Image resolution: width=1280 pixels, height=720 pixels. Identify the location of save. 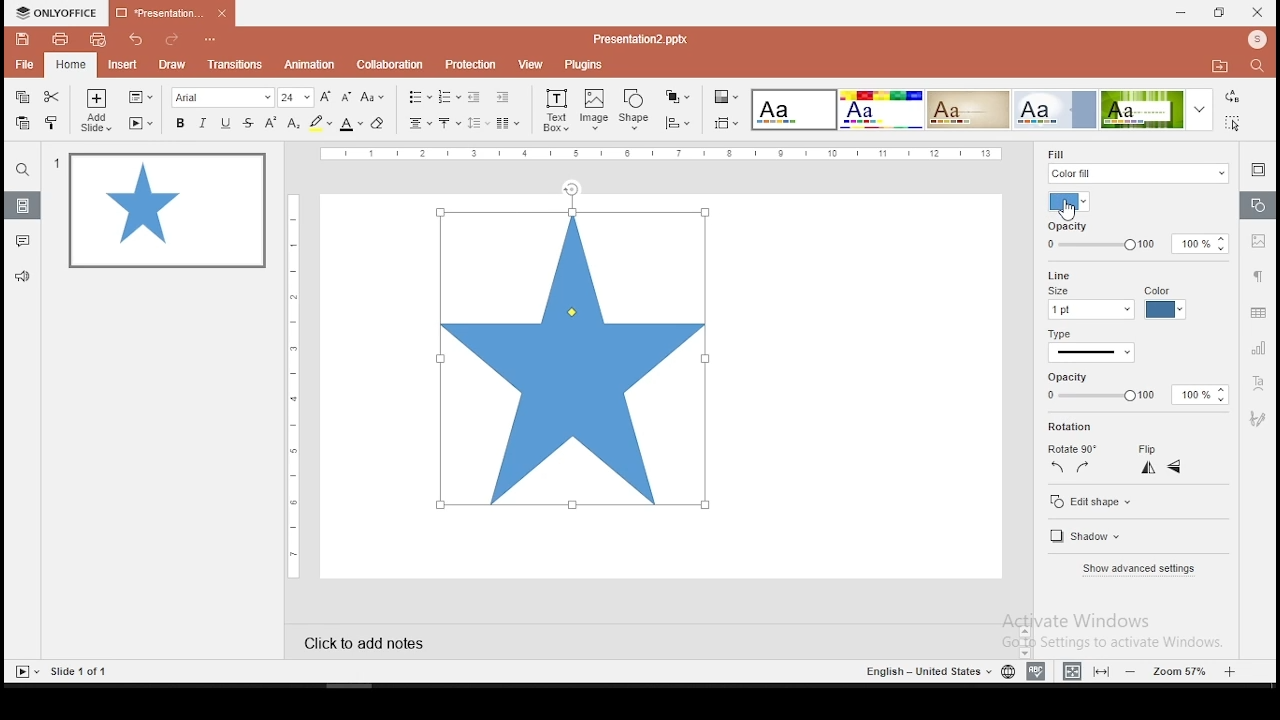
(23, 39).